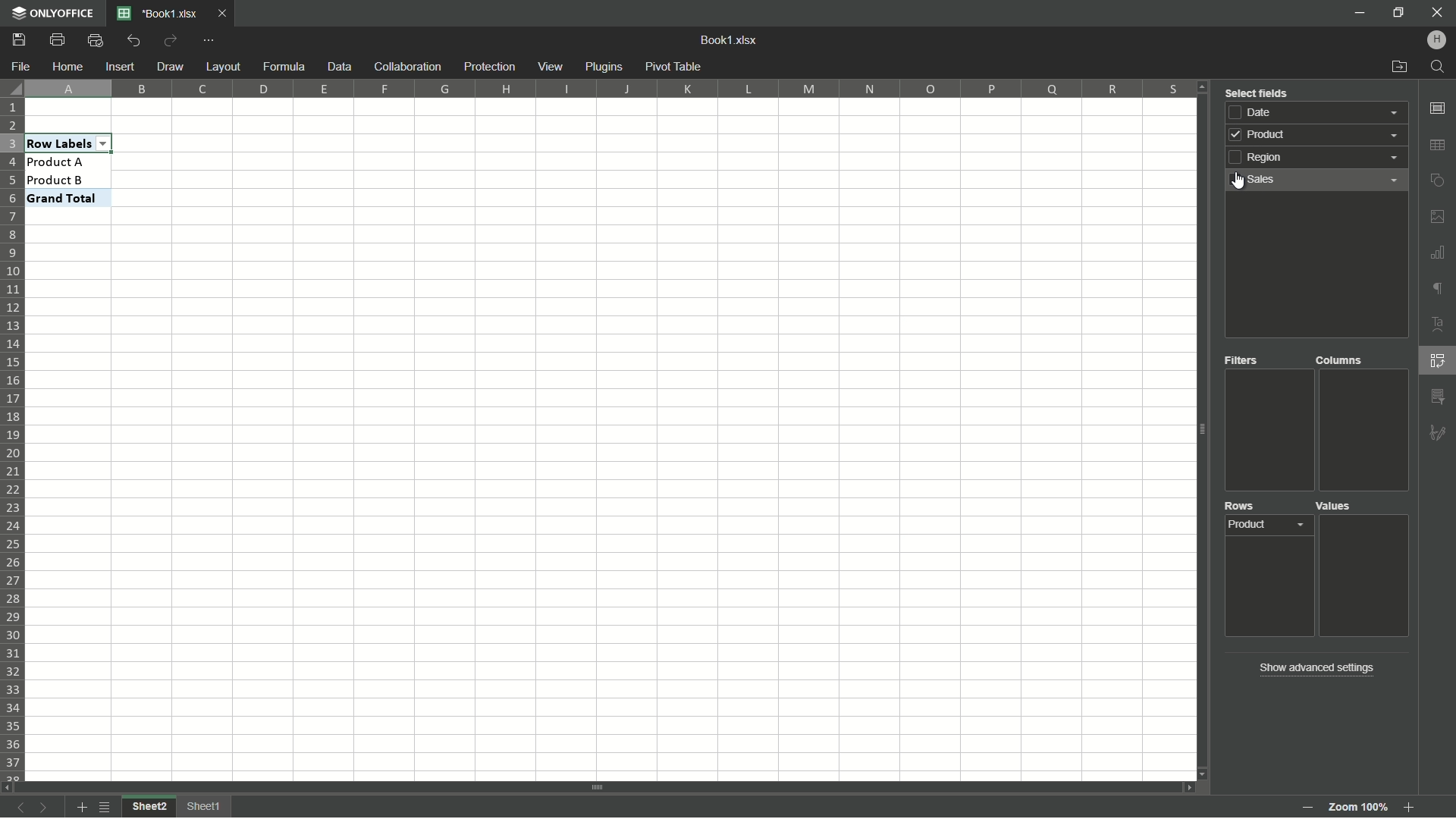 The width and height of the screenshot is (1456, 819). I want to click on Columns, so click(1340, 361).